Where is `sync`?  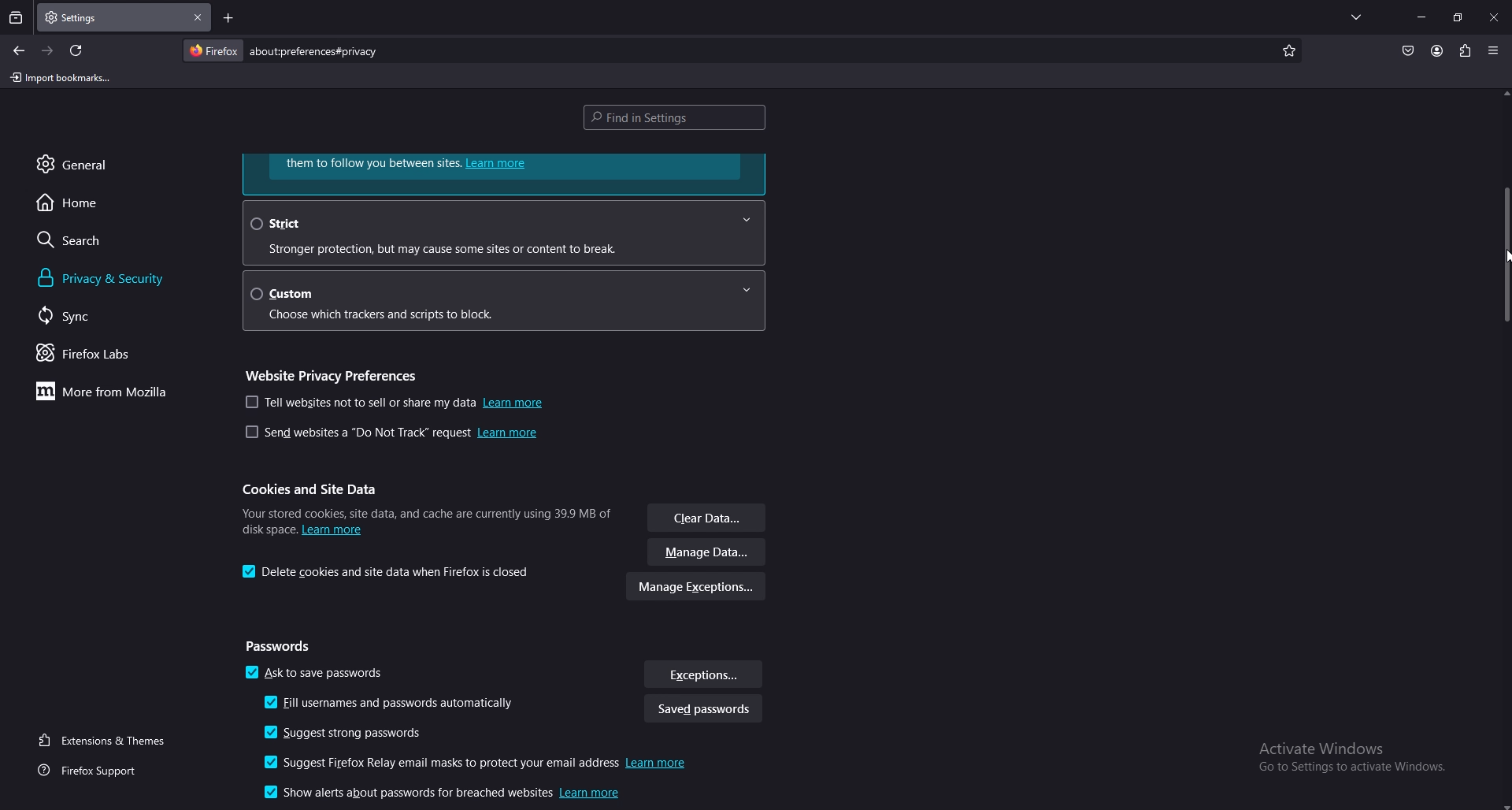 sync is located at coordinates (83, 316).